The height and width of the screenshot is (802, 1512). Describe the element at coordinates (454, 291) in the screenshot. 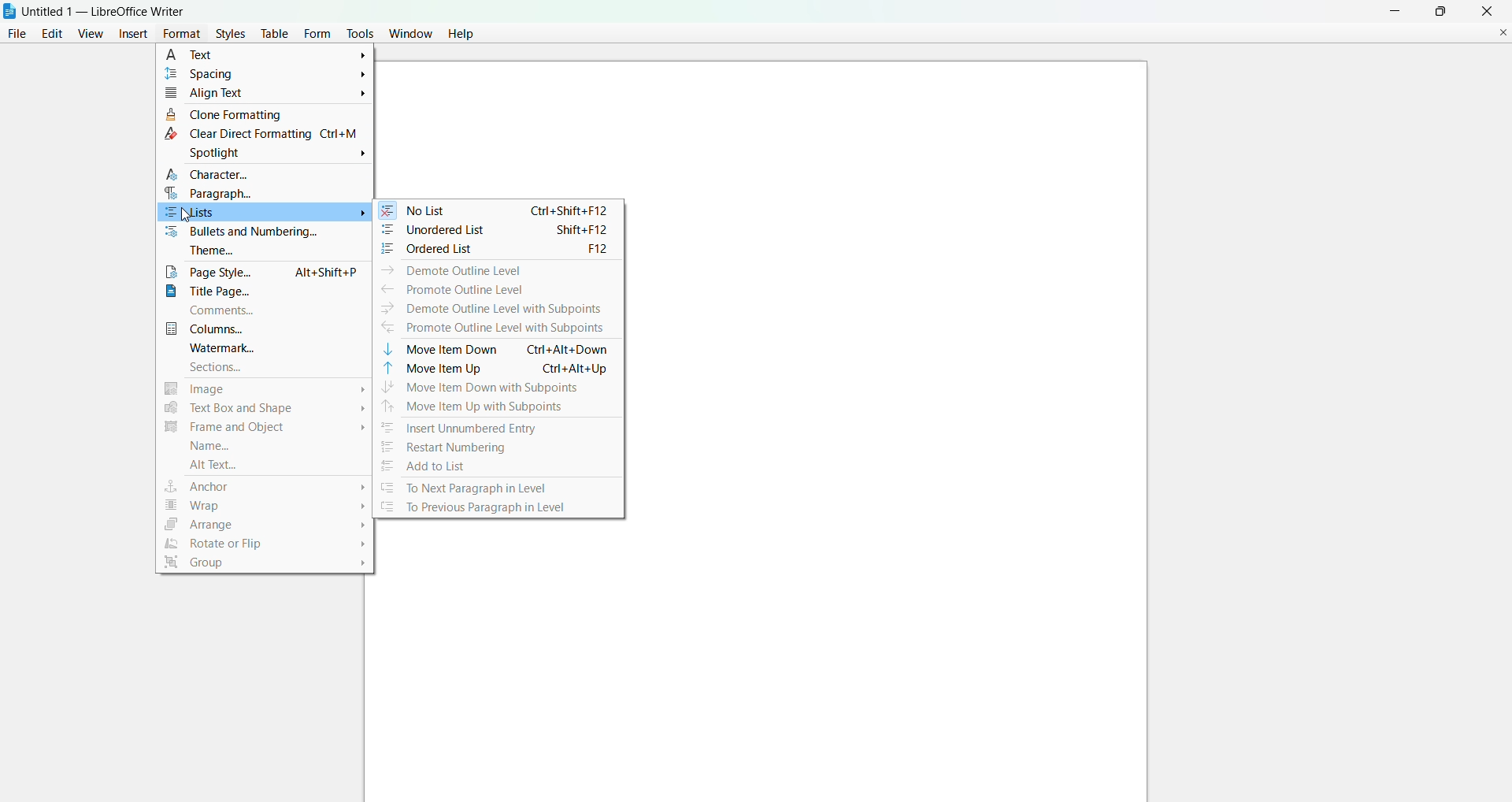

I see `promote outline level` at that location.